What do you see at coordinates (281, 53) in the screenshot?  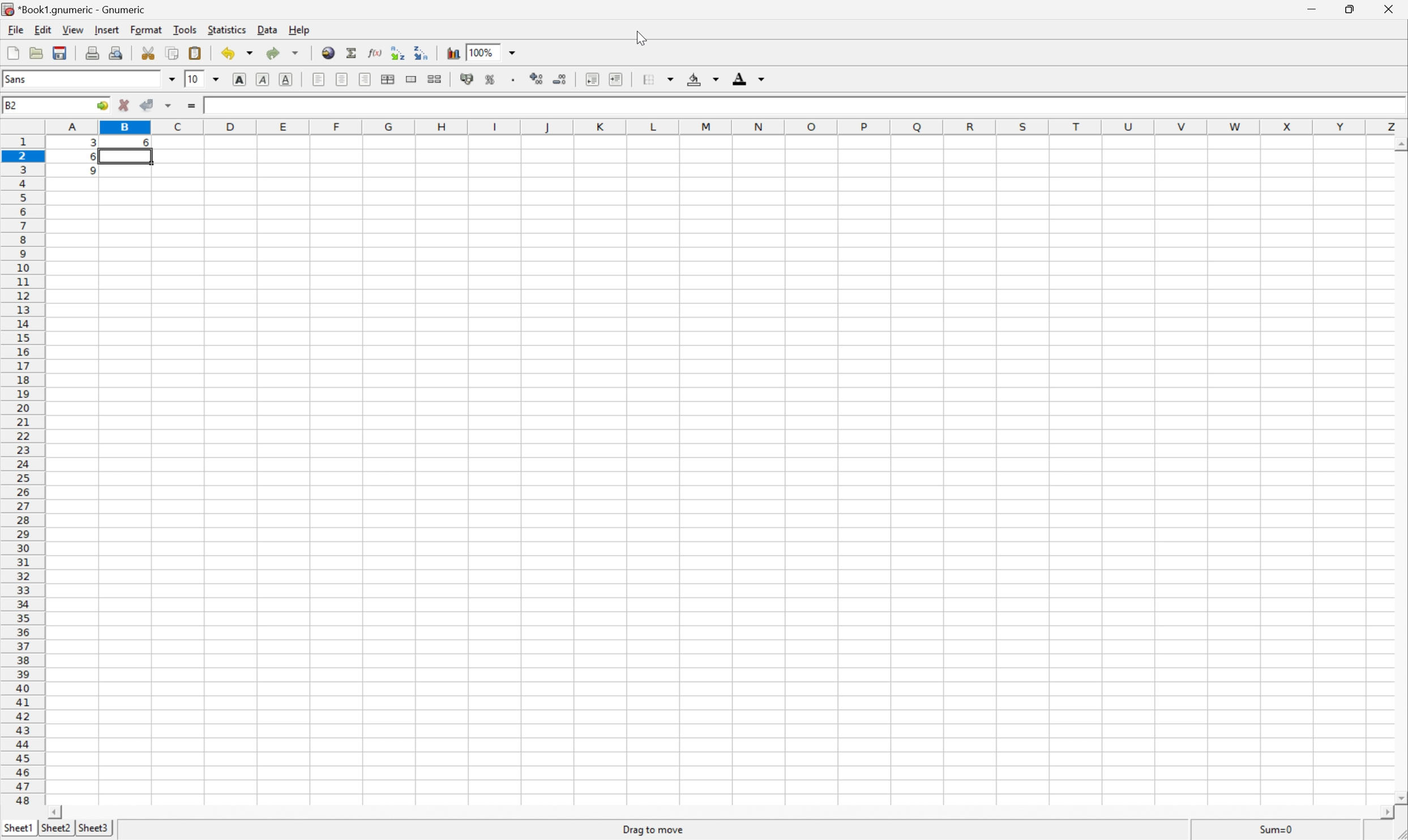 I see `Redo` at bounding box center [281, 53].